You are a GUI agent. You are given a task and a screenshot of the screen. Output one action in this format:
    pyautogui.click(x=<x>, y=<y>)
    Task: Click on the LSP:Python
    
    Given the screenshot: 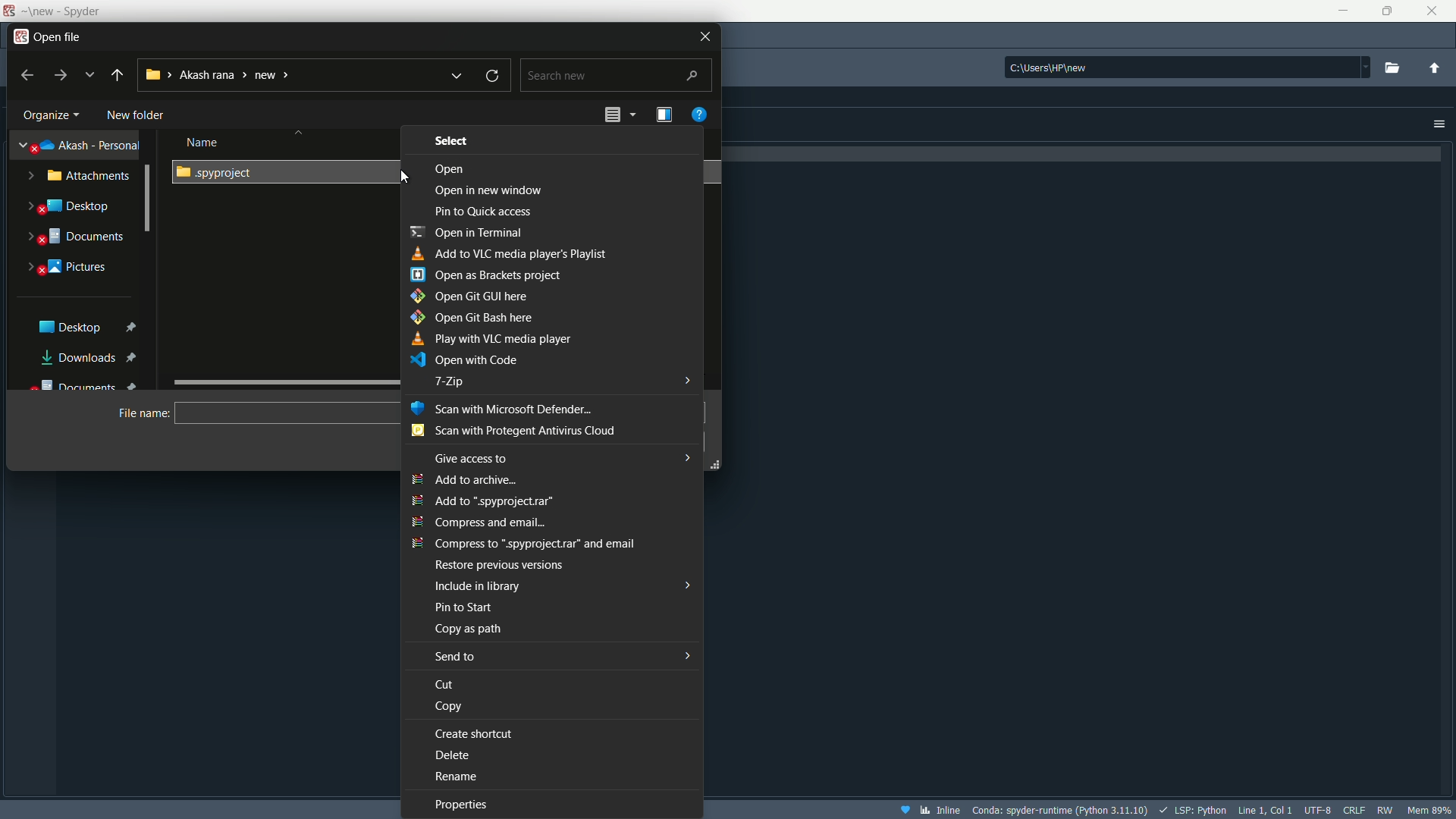 What is the action you would take?
    pyautogui.click(x=1193, y=810)
    